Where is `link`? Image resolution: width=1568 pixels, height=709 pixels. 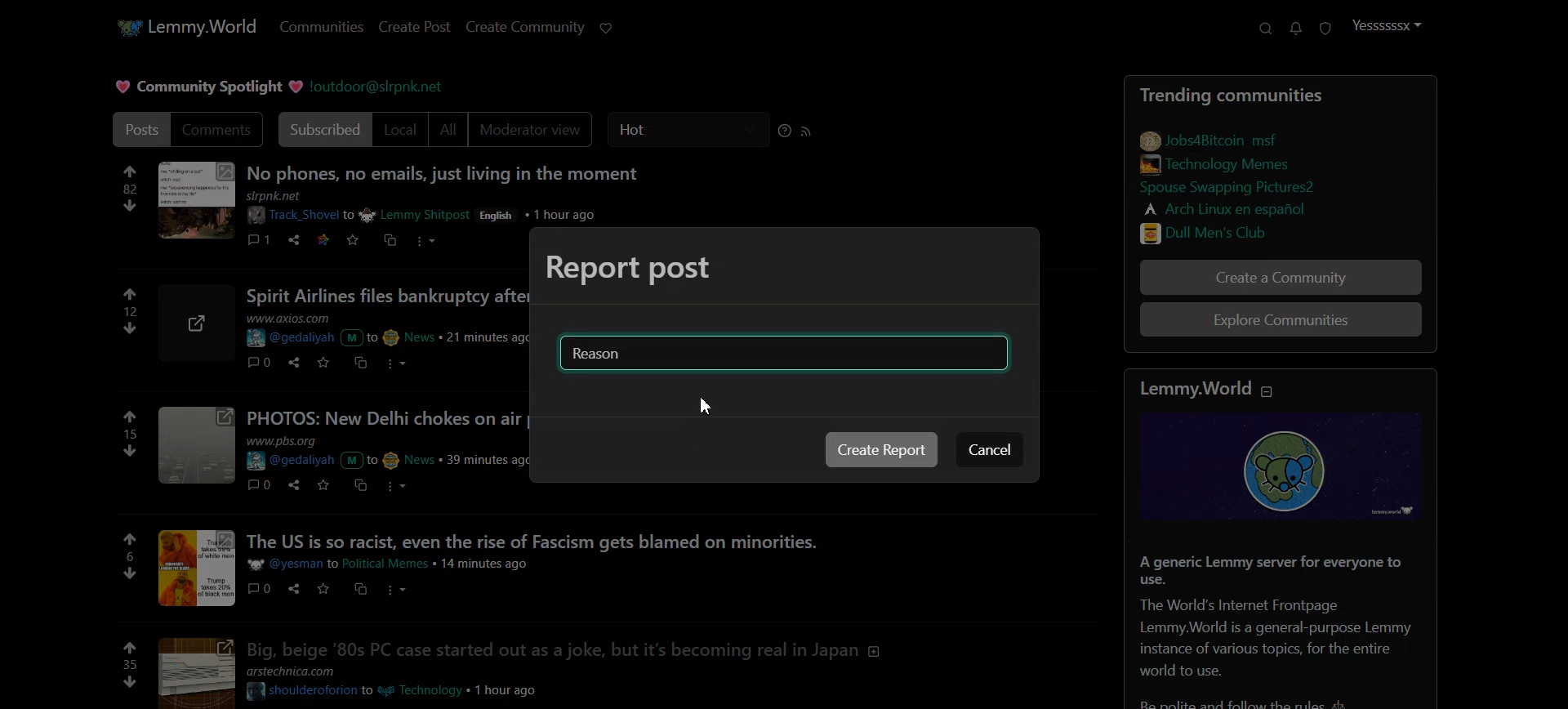 link is located at coordinates (1222, 163).